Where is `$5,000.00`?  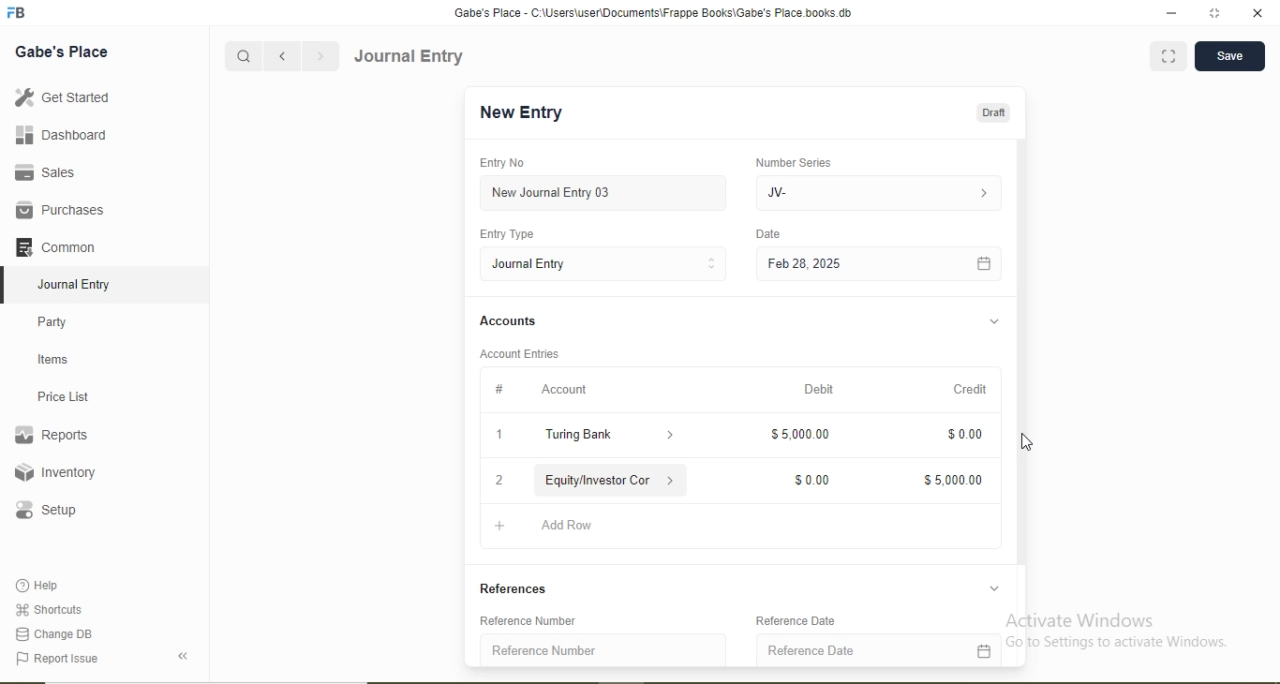 $5,000.00 is located at coordinates (954, 481).